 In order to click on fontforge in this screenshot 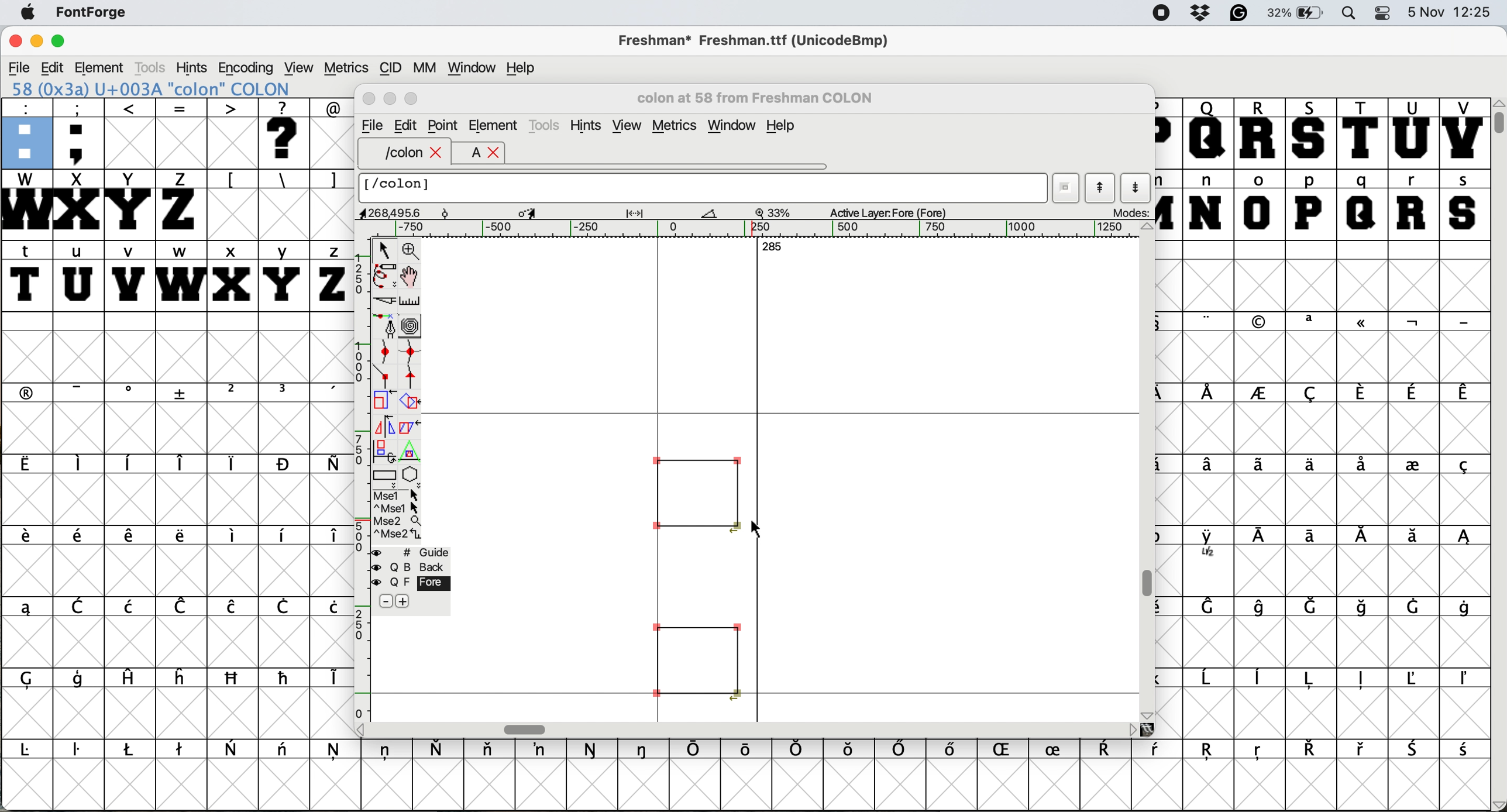, I will do `click(88, 13)`.